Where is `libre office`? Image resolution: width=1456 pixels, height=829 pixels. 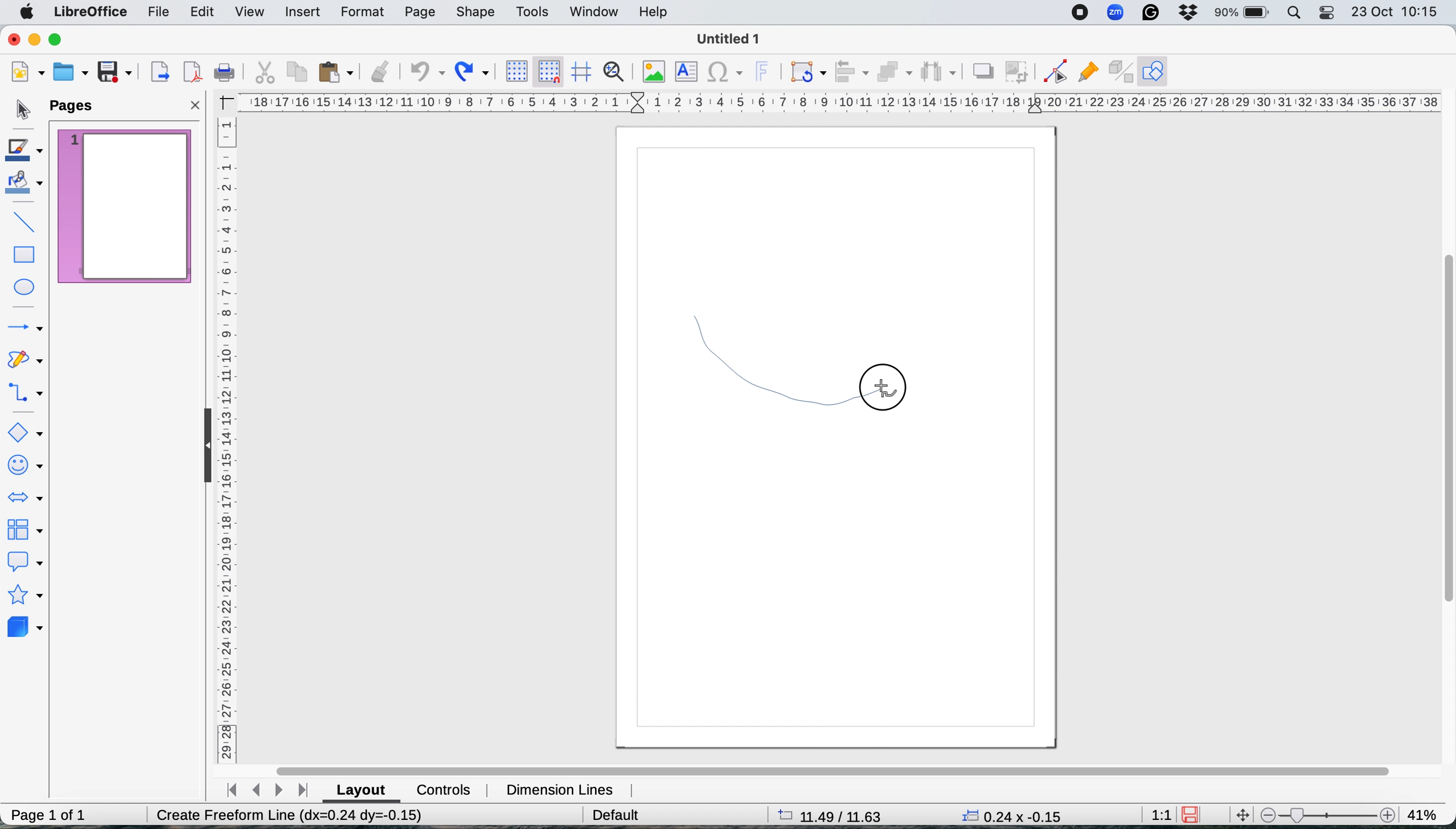 libre office is located at coordinates (92, 13).